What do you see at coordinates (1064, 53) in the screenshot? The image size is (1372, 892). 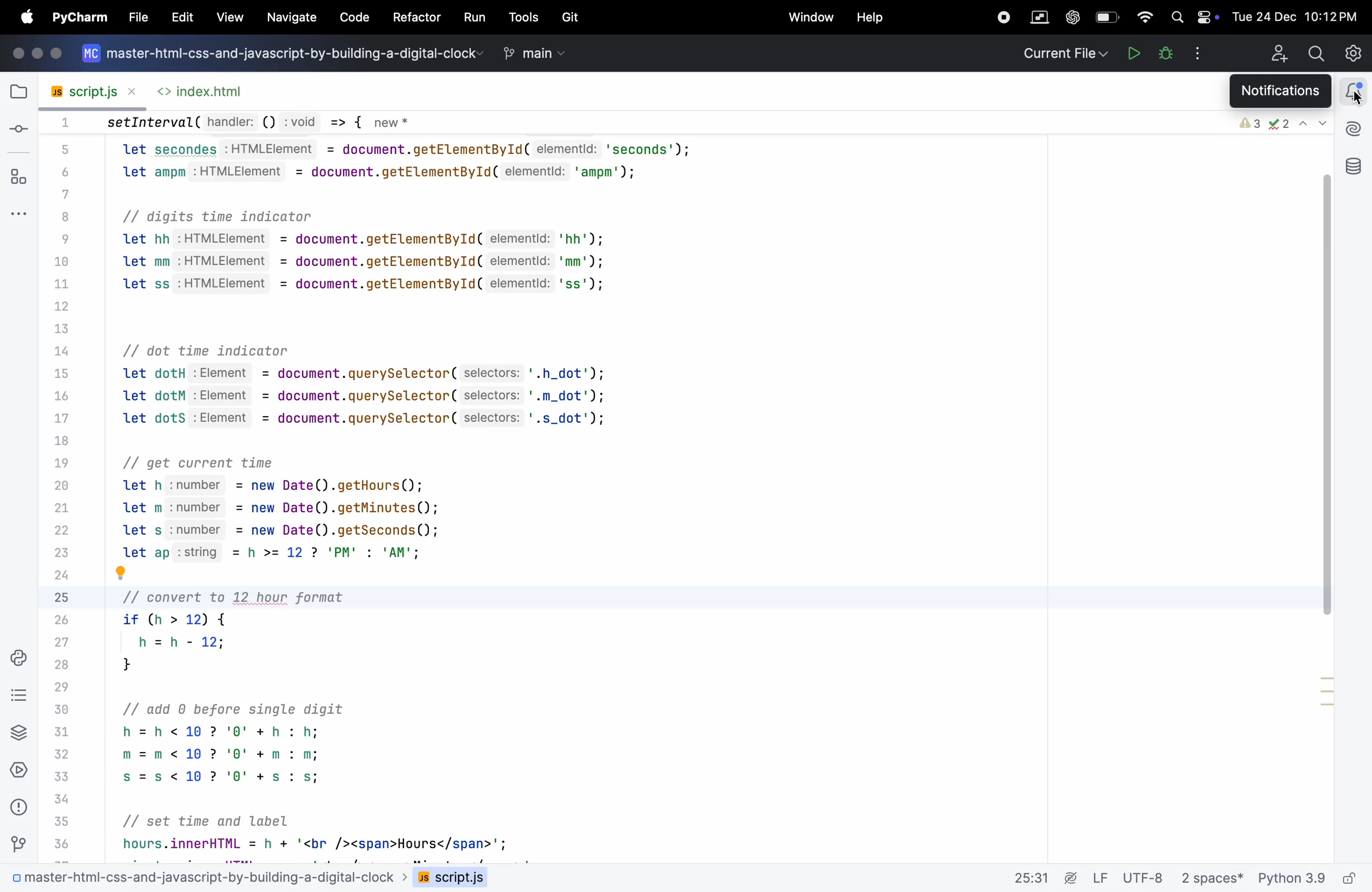 I see `current file` at bounding box center [1064, 53].